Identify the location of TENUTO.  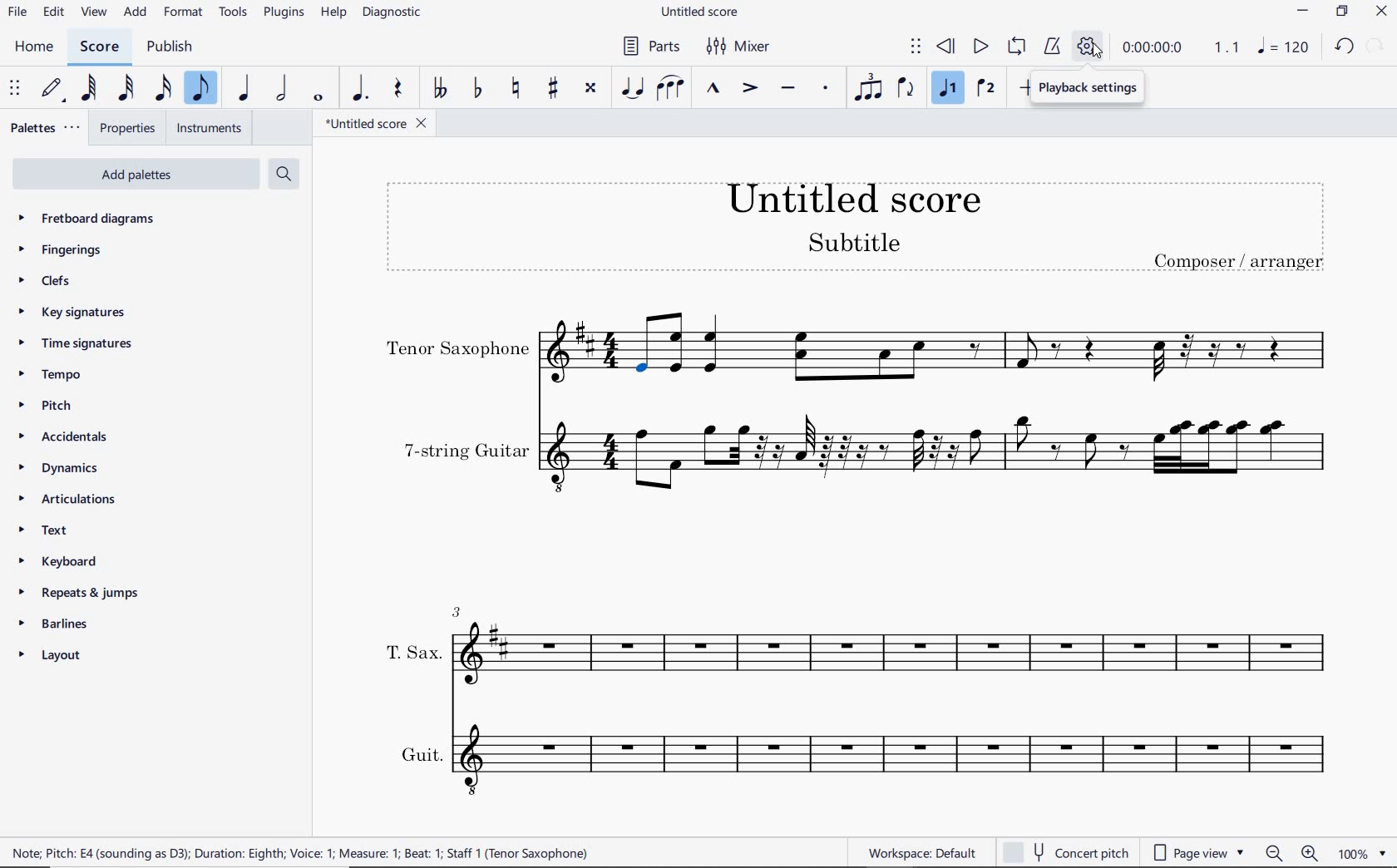
(787, 90).